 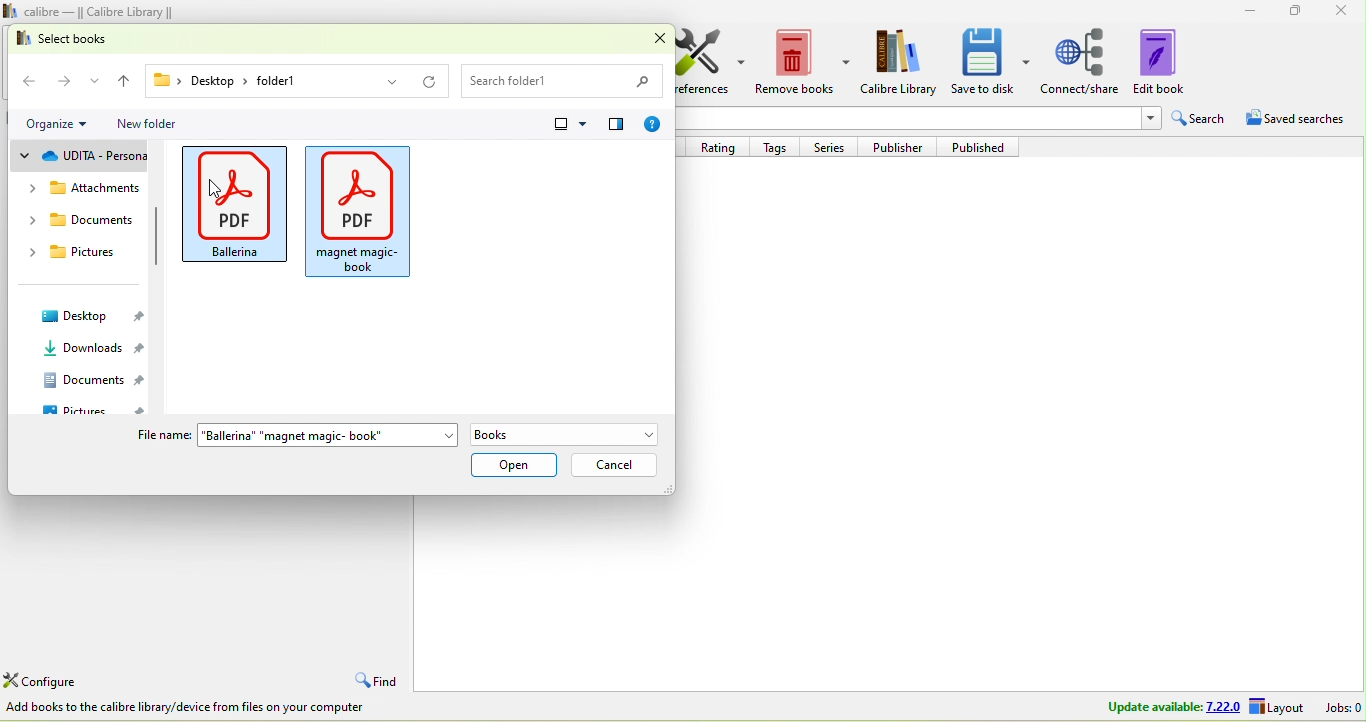 What do you see at coordinates (834, 147) in the screenshot?
I see `series` at bounding box center [834, 147].